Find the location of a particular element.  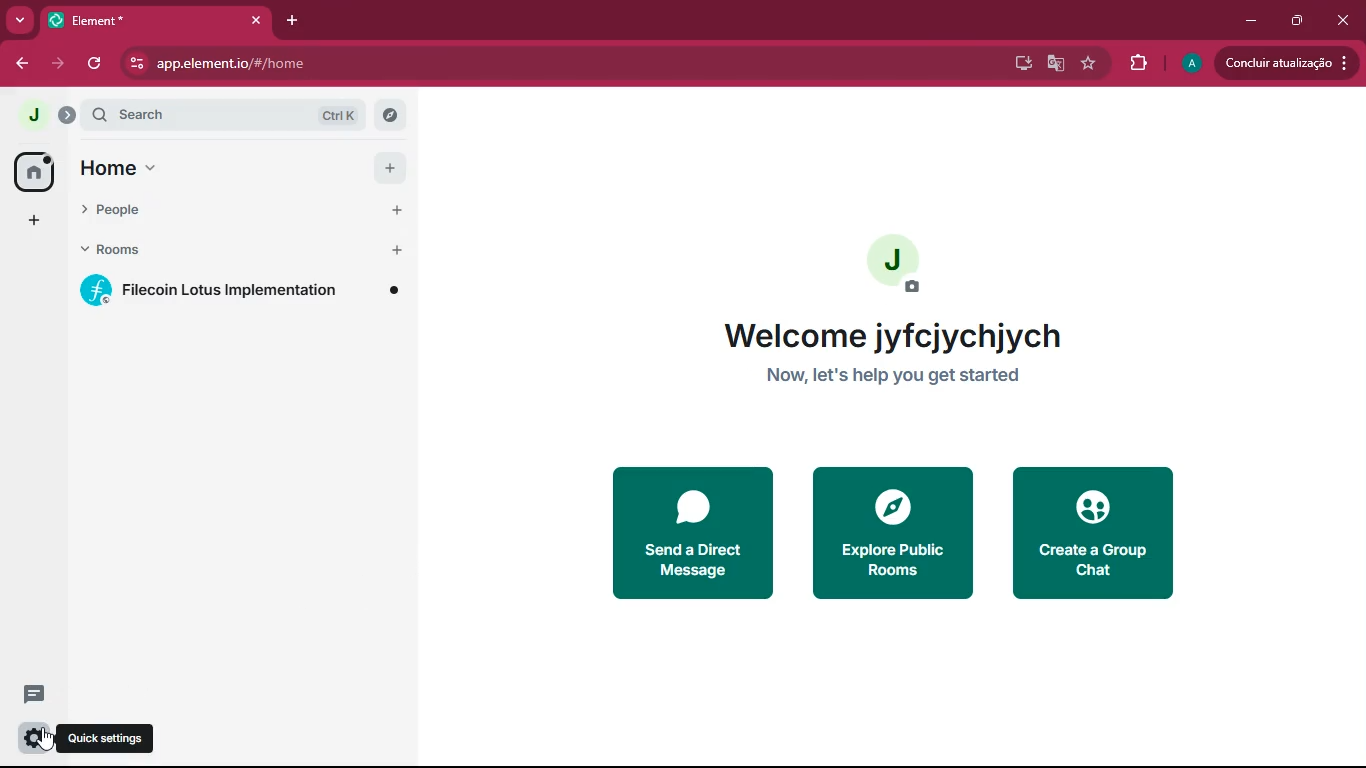

j is located at coordinates (24, 115).